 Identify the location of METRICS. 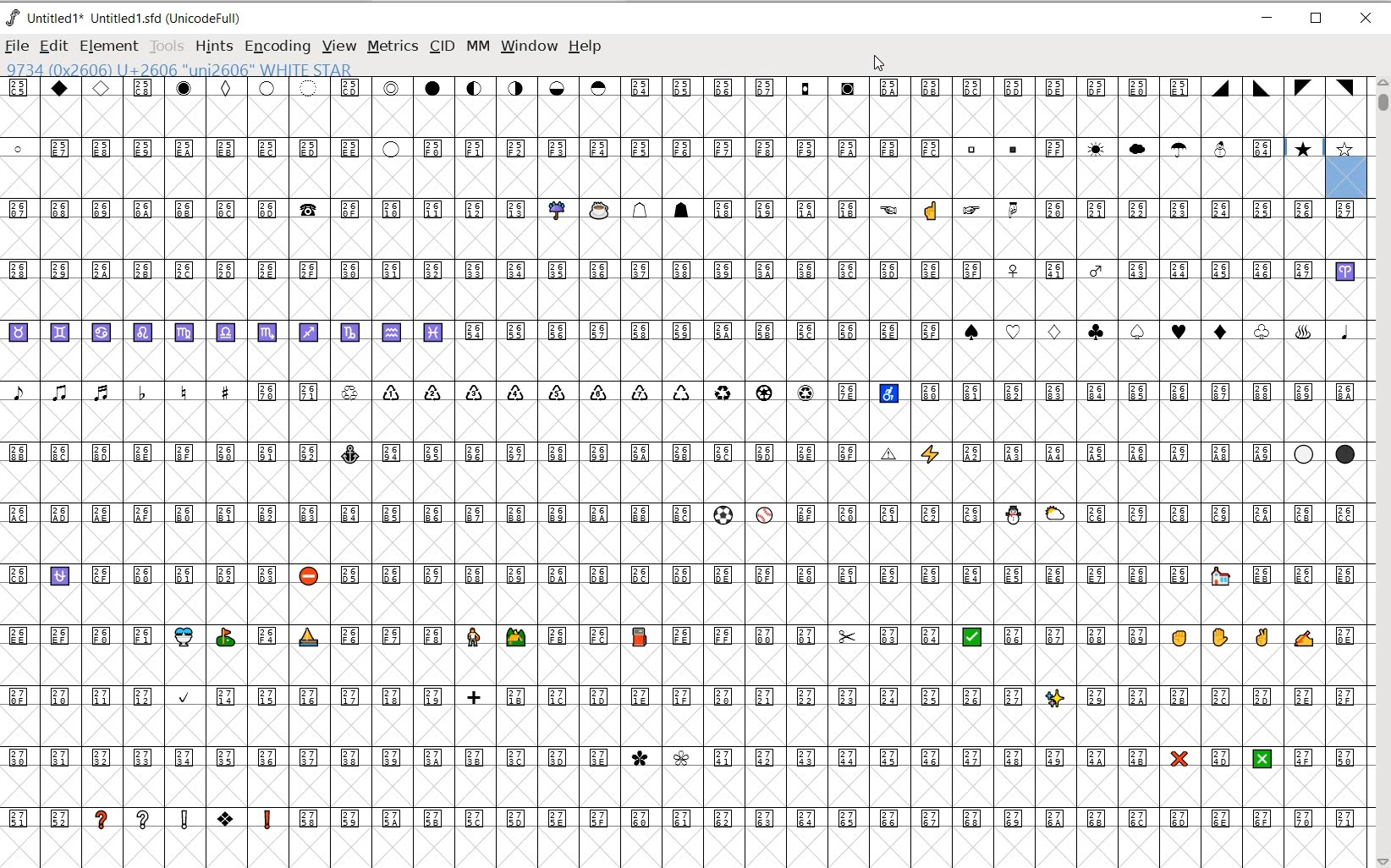
(392, 46).